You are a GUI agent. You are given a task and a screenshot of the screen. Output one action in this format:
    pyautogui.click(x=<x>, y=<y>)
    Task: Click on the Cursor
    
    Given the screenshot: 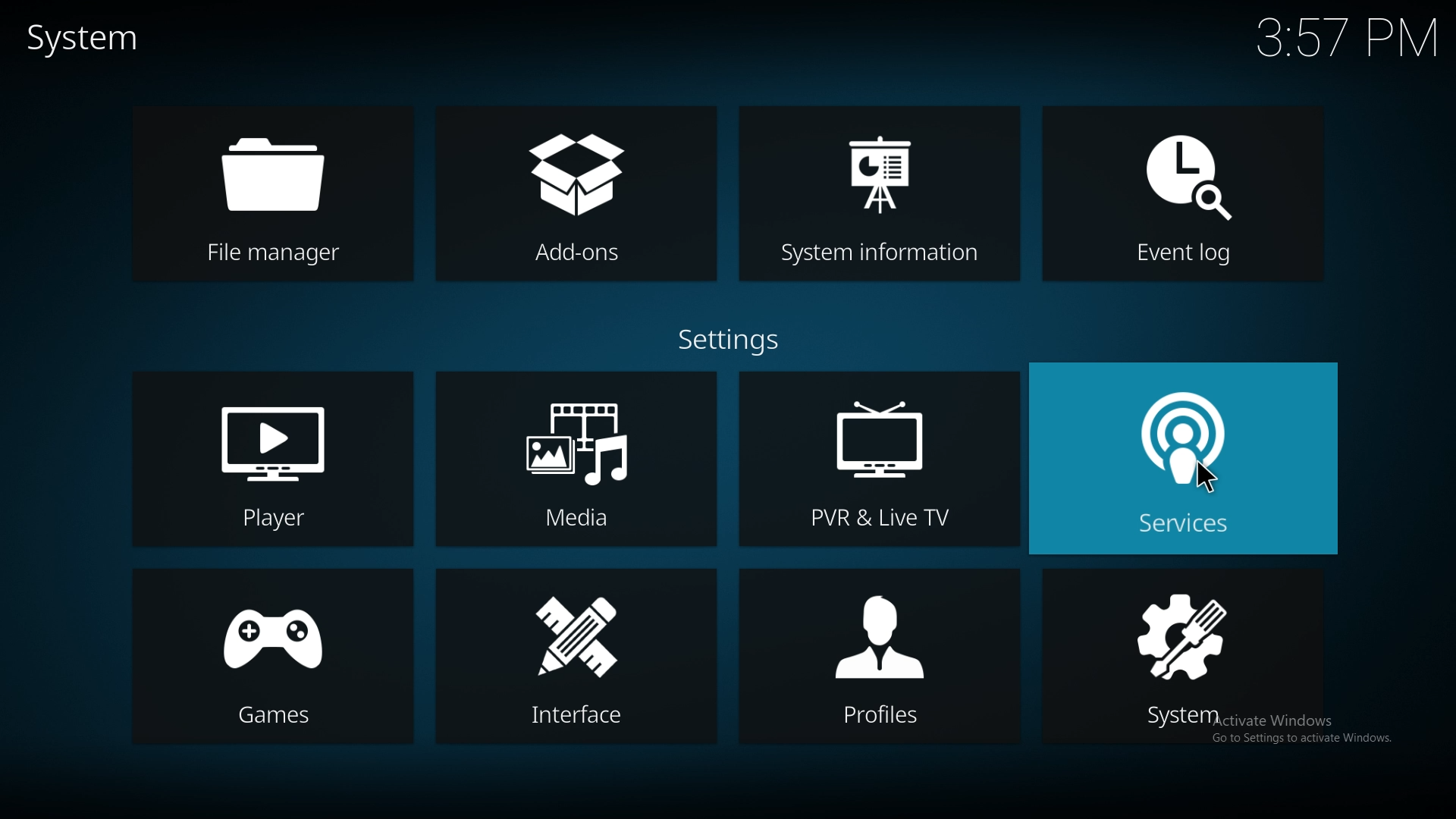 What is the action you would take?
    pyautogui.click(x=1208, y=479)
    